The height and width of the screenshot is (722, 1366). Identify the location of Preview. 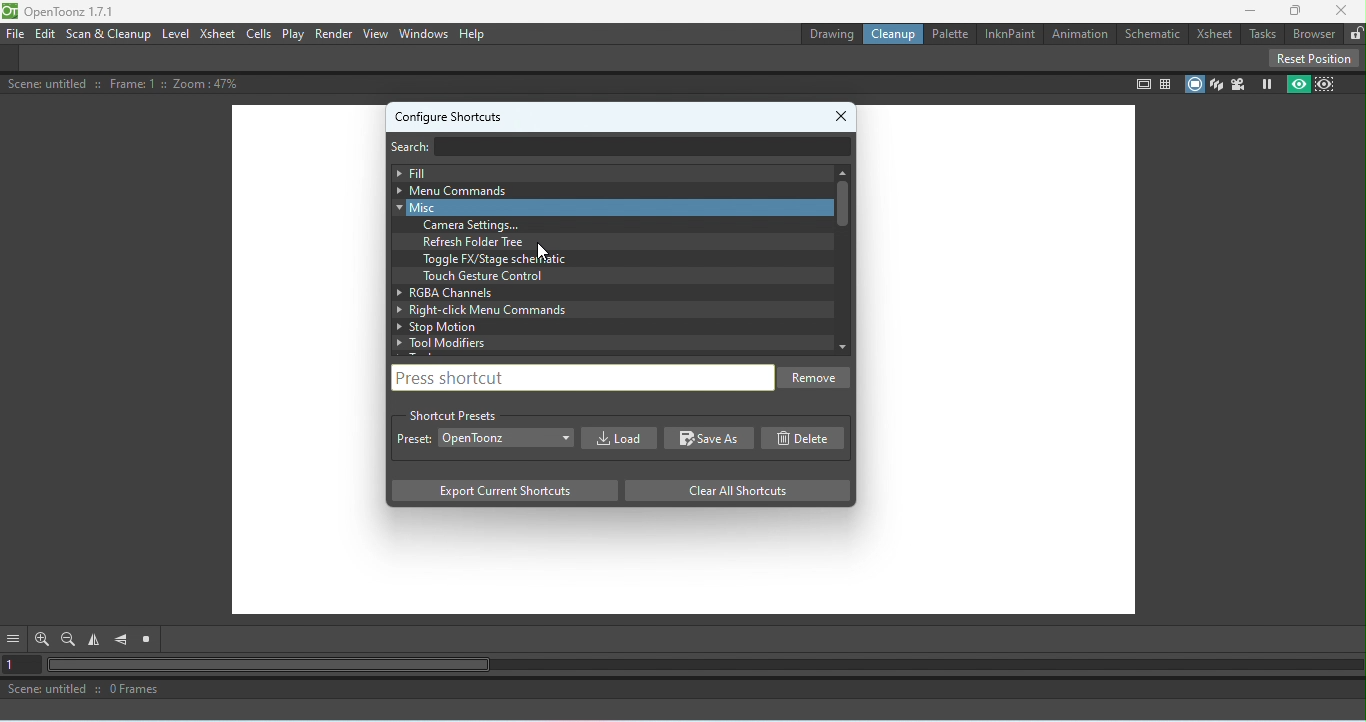
(1296, 85).